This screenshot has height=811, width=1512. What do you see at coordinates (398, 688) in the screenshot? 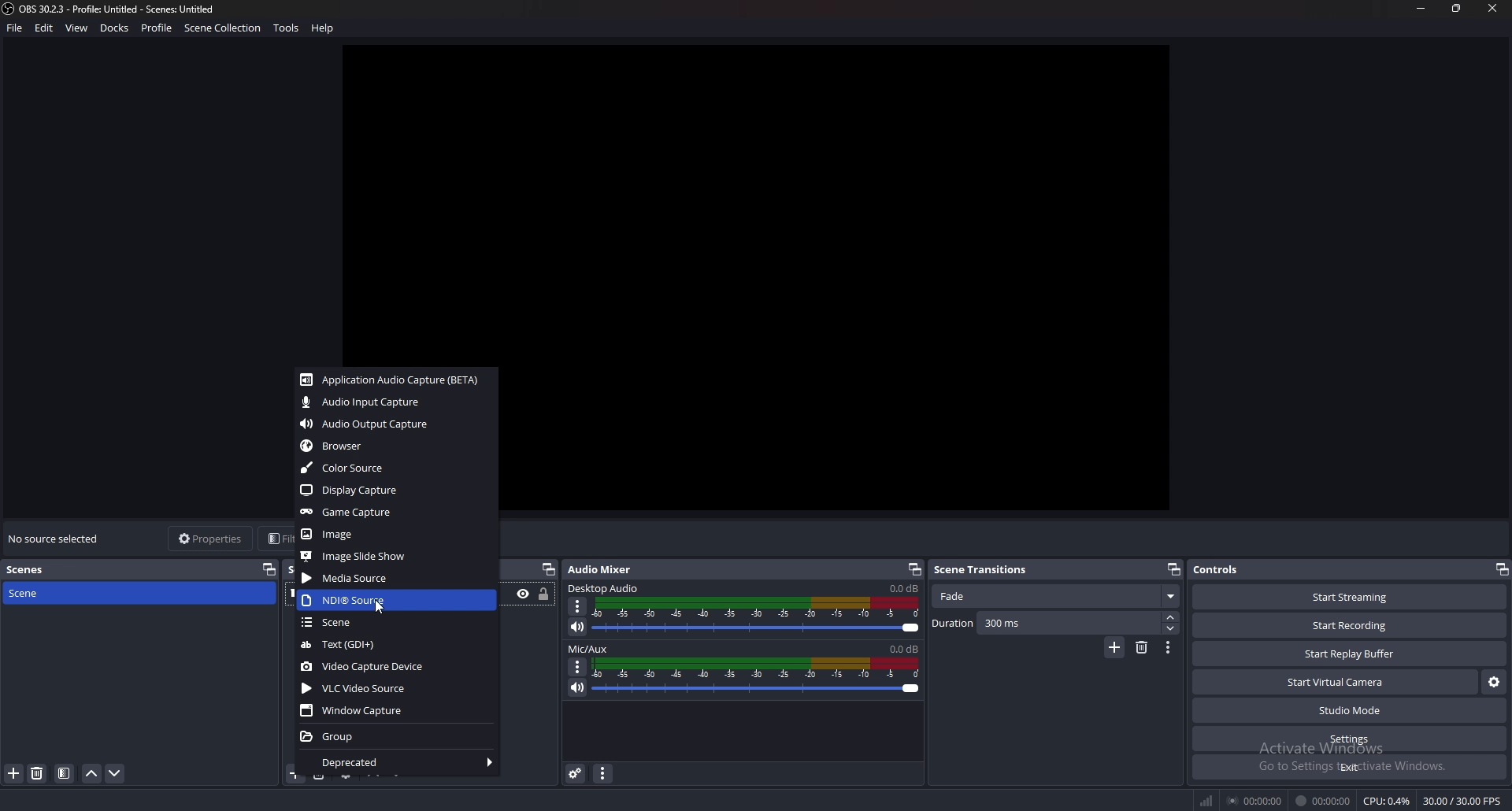
I see `vlc video source` at bounding box center [398, 688].